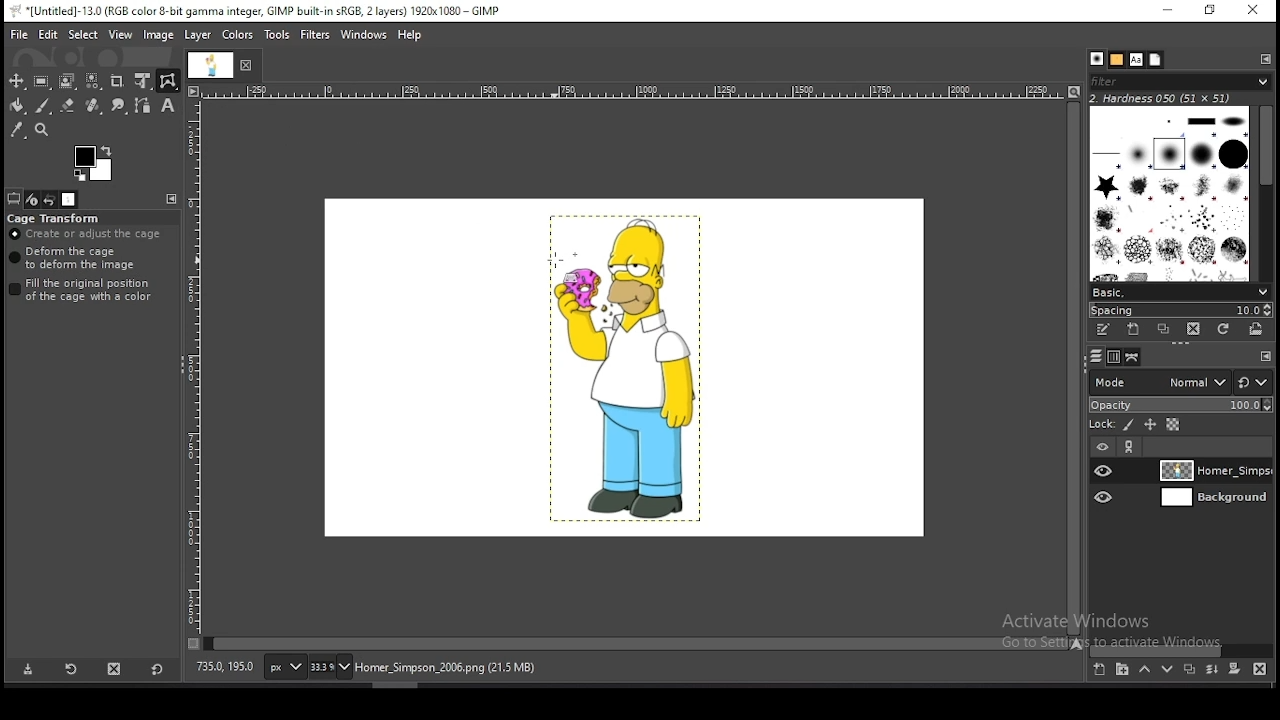  What do you see at coordinates (1267, 60) in the screenshot?
I see `configure this tab` at bounding box center [1267, 60].